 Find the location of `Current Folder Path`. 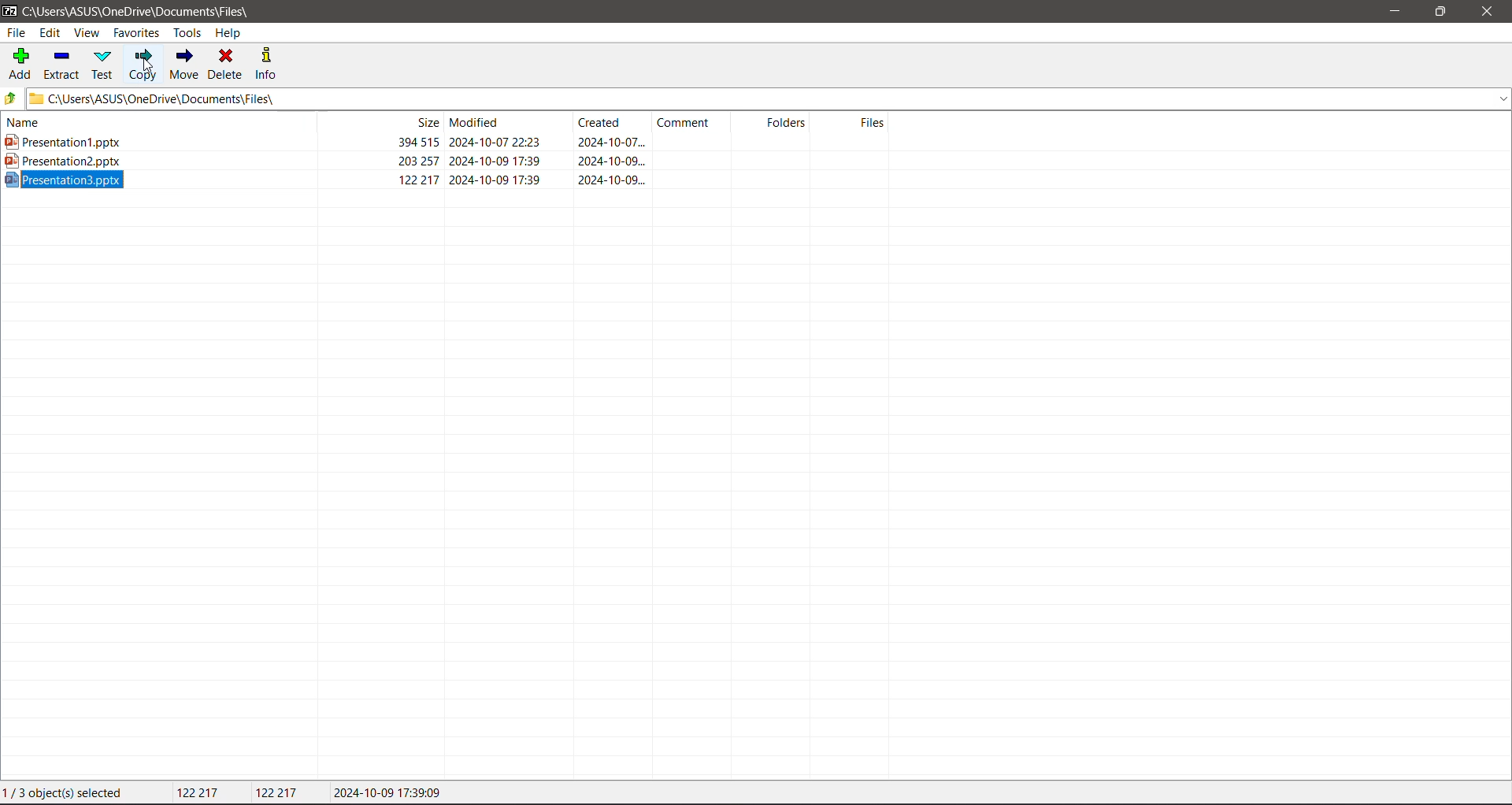

Current Folder Path is located at coordinates (773, 95).